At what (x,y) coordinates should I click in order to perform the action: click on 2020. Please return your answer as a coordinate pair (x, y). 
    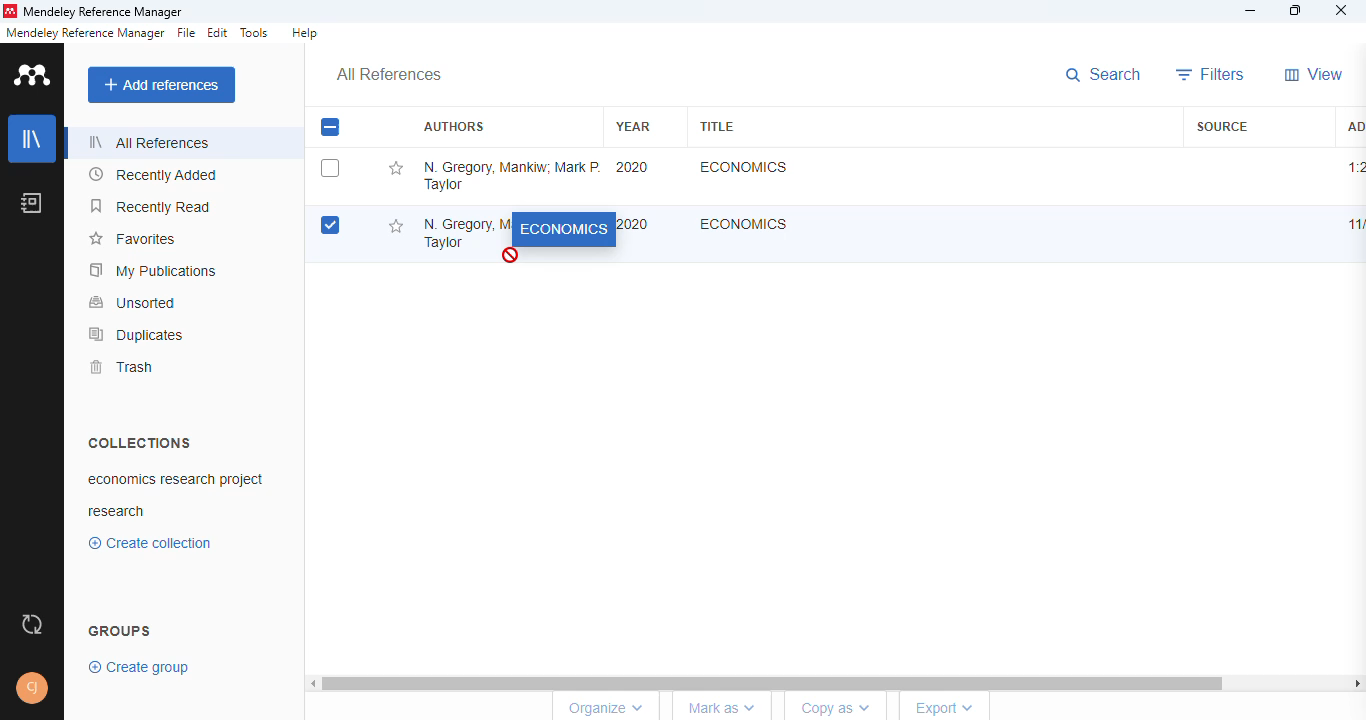
    Looking at the image, I should click on (633, 167).